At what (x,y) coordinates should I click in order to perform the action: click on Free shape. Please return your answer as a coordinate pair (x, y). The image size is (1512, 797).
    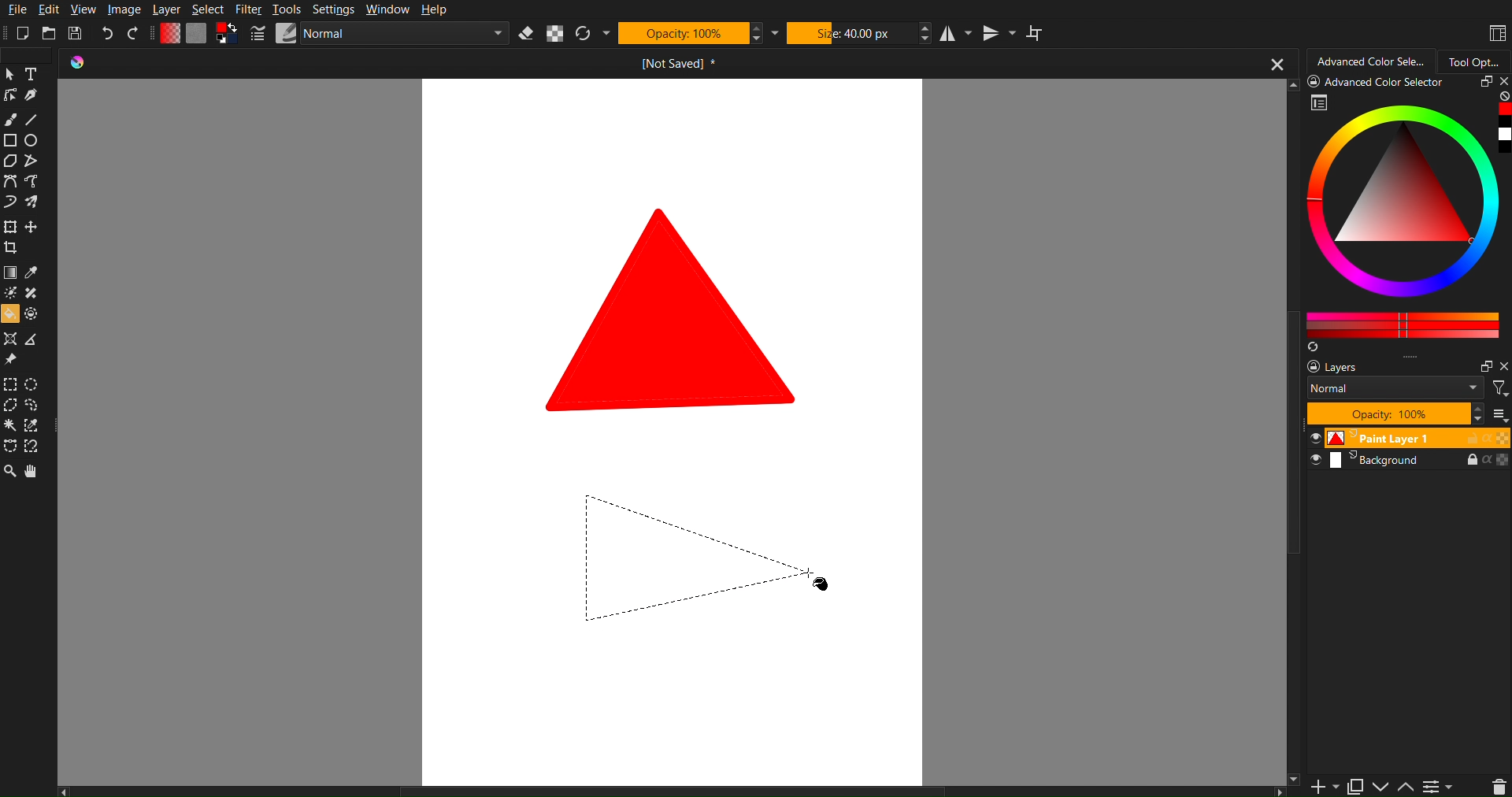
    Looking at the image, I should click on (30, 161).